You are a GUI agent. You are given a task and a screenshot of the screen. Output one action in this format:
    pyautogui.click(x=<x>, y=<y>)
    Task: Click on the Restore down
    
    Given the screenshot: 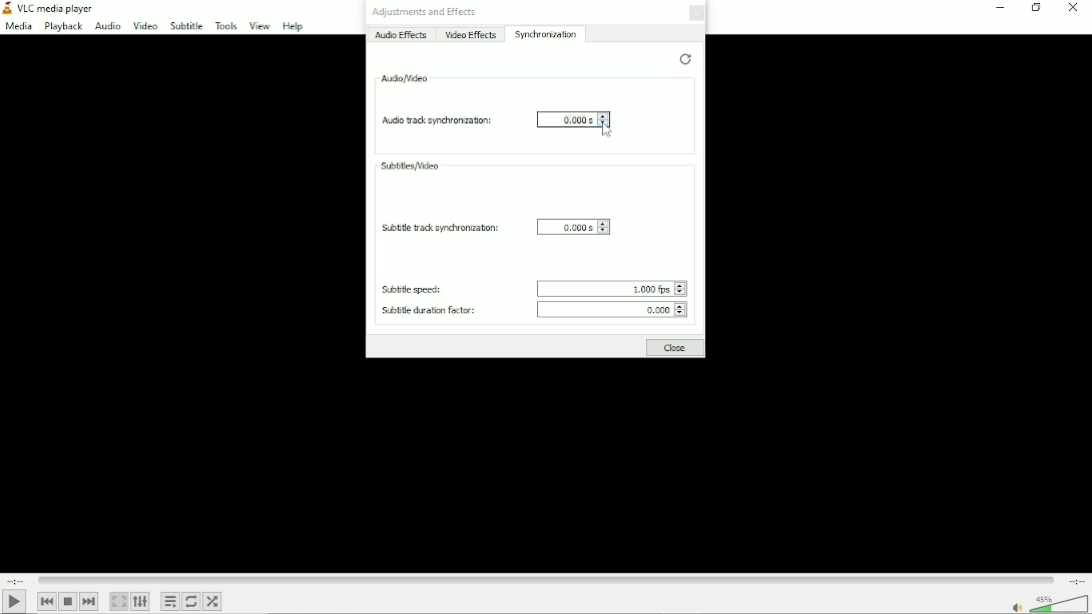 What is the action you would take?
    pyautogui.click(x=1036, y=10)
    